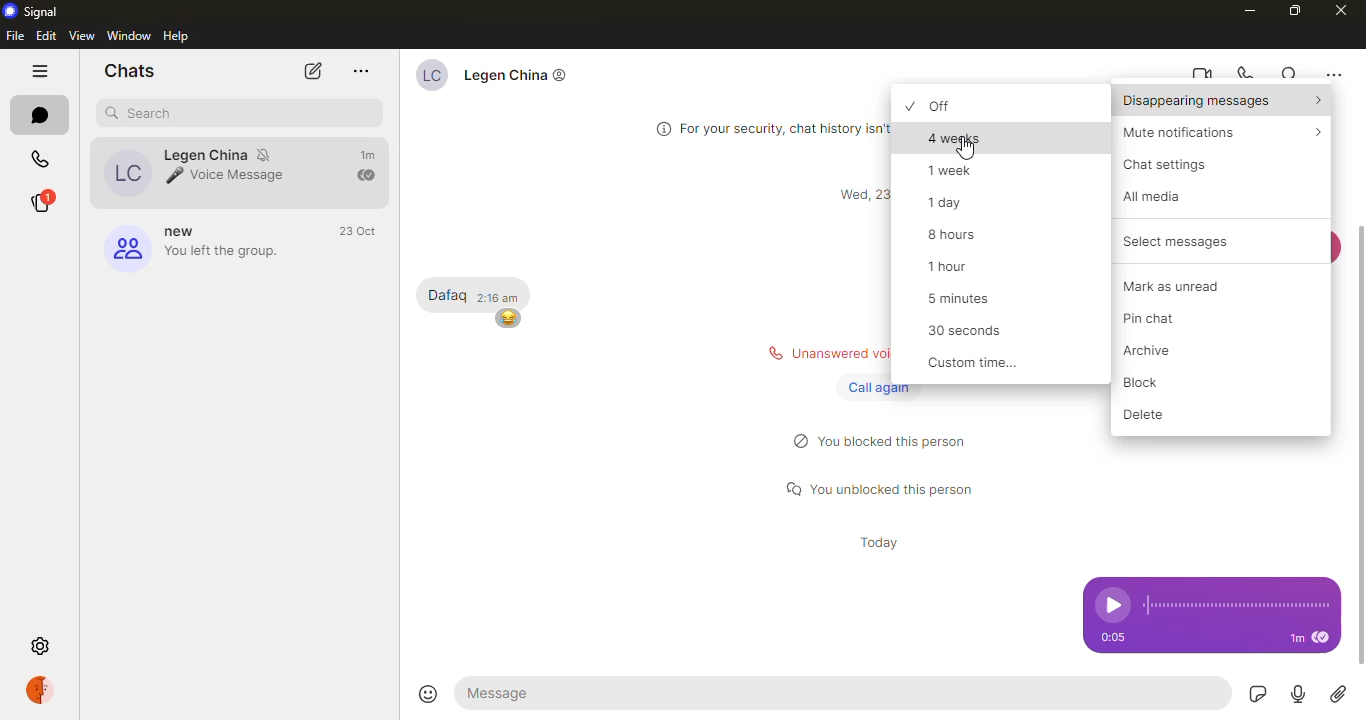  I want to click on all media, so click(1159, 196).